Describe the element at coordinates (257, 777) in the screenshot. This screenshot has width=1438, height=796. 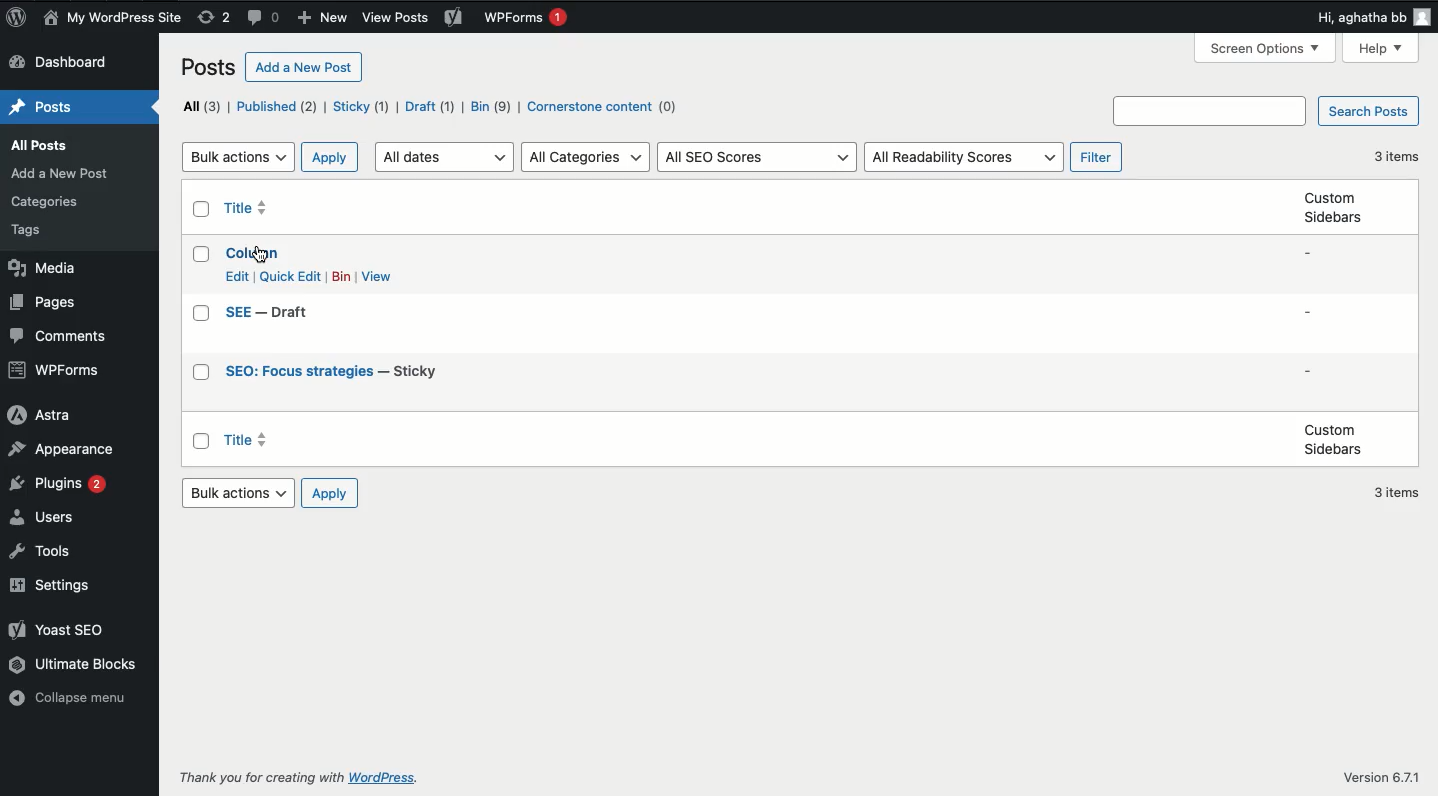
I see `Thank you for creating with WordPress` at that location.